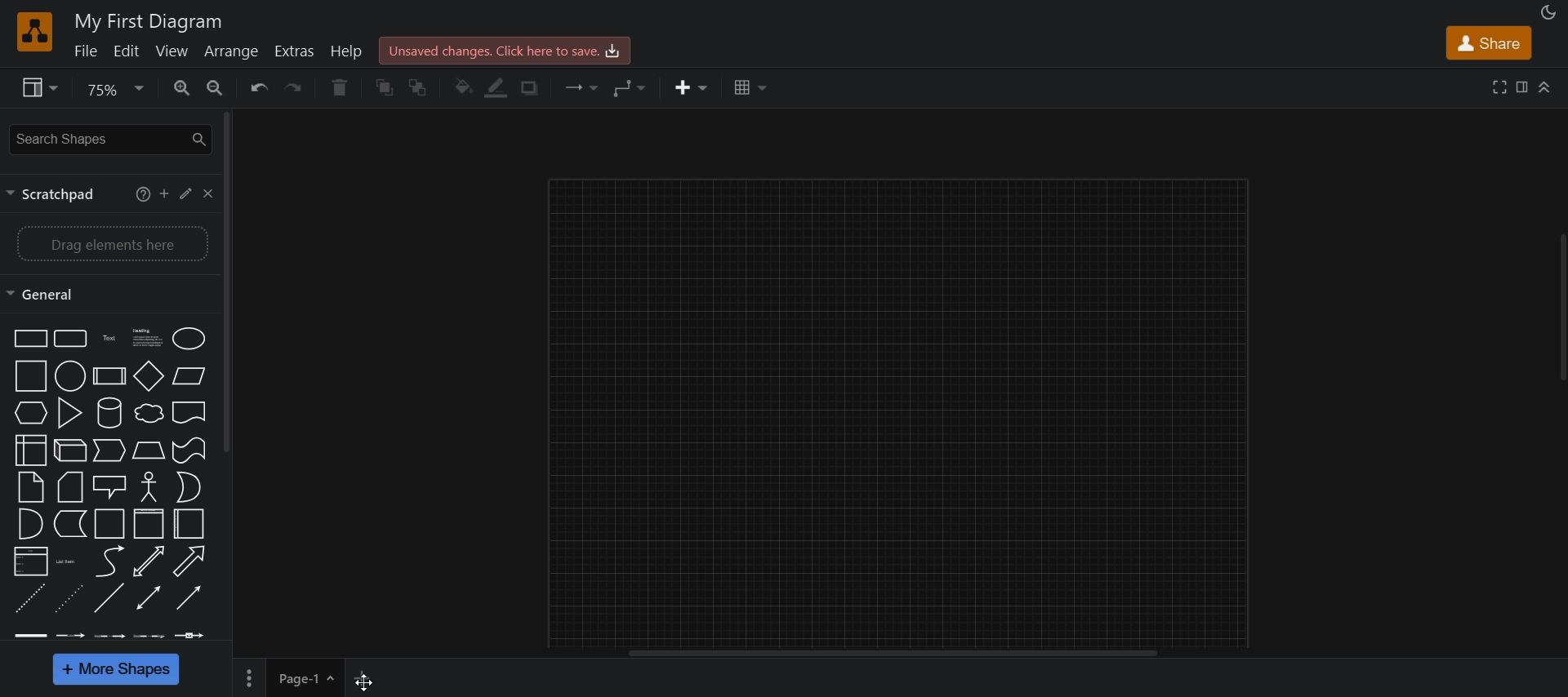  What do you see at coordinates (300, 51) in the screenshot?
I see `extras` at bounding box center [300, 51].